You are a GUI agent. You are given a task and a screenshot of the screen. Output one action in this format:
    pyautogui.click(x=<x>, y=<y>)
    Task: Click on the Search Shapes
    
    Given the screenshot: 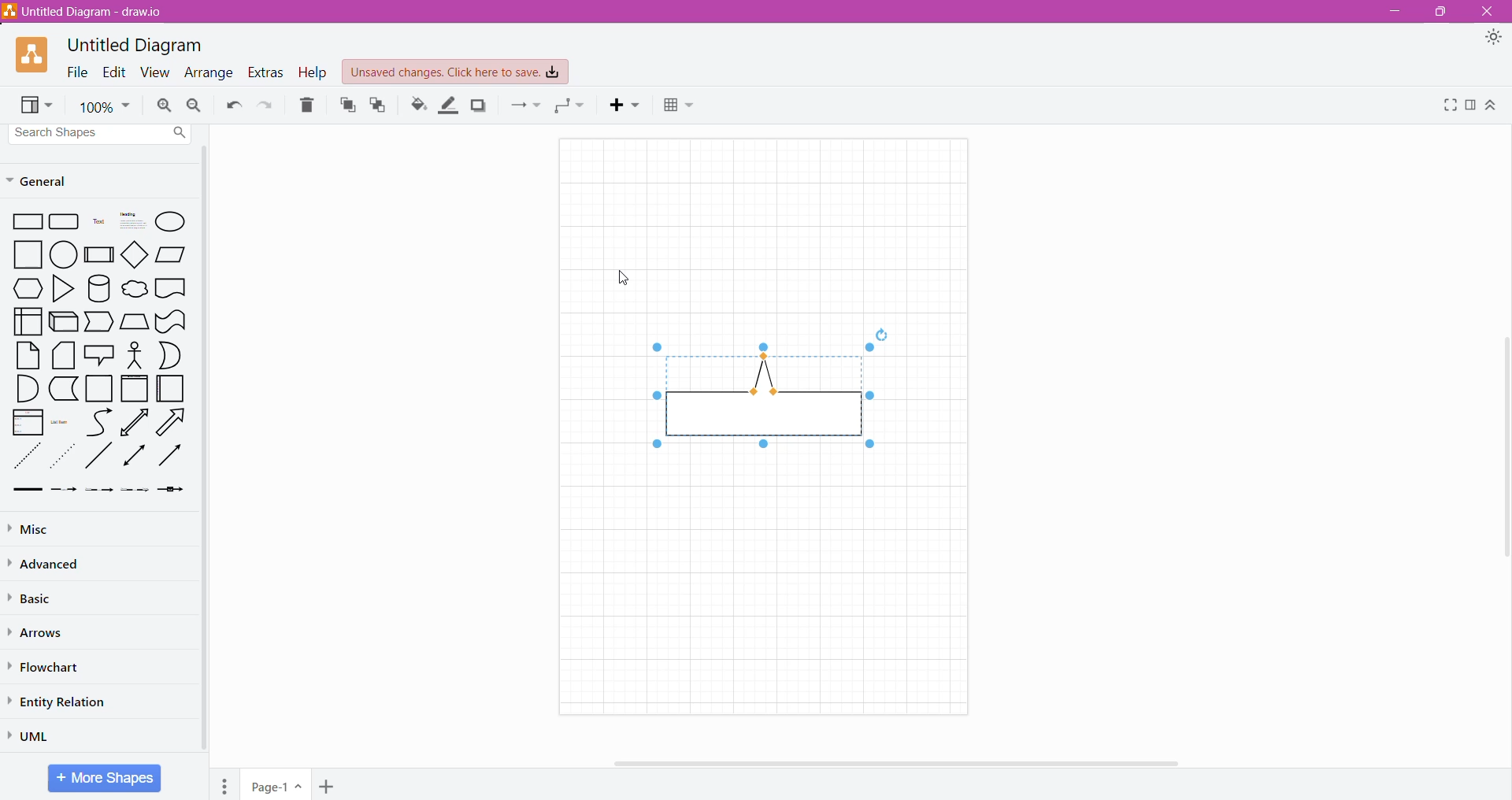 What is the action you would take?
    pyautogui.click(x=102, y=133)
    